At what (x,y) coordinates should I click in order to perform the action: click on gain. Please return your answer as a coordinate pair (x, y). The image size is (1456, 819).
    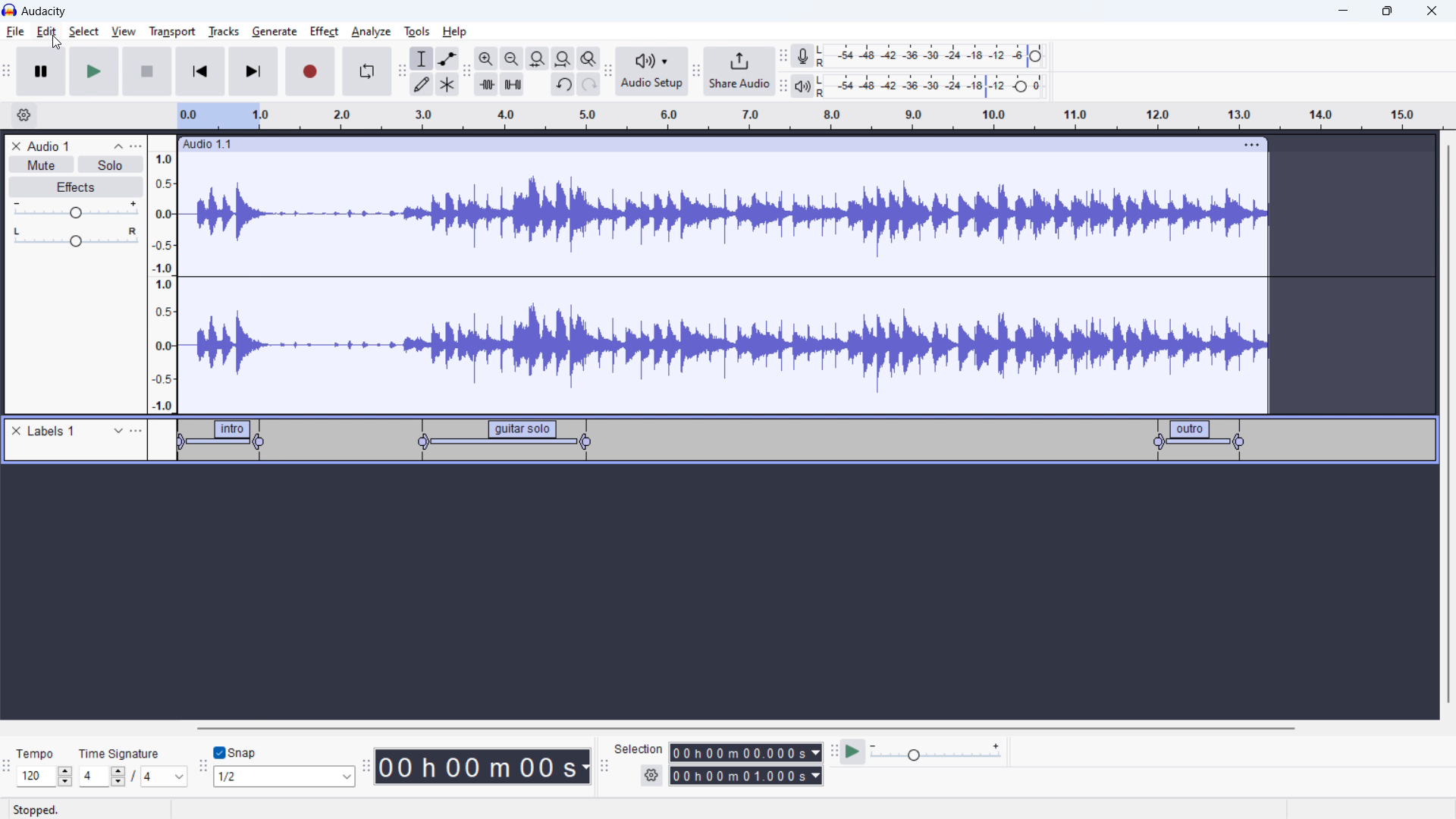
    Looking at the image, I should click on (76, 210).